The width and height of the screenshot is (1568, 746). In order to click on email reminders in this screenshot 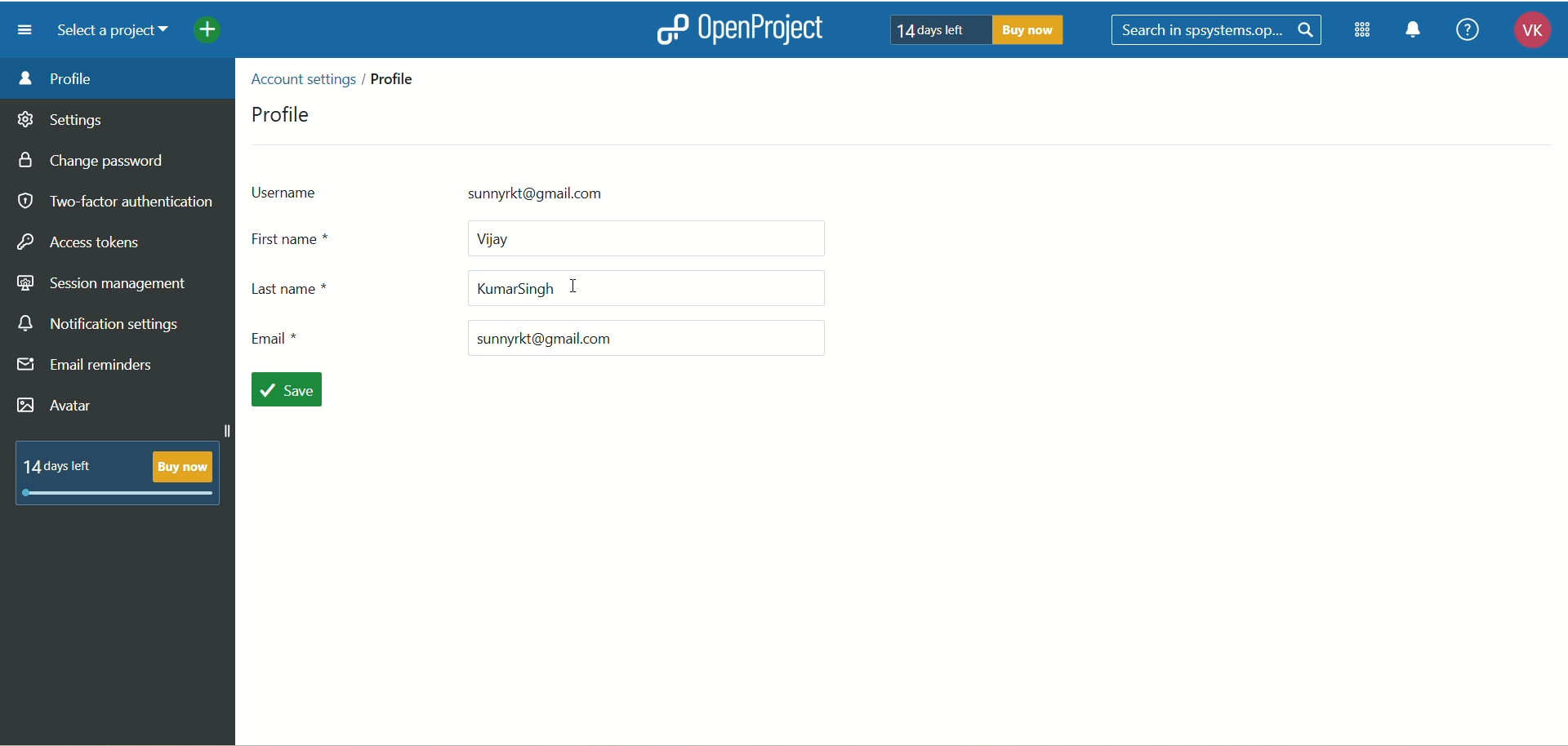, I will do `click(87, 368)`.